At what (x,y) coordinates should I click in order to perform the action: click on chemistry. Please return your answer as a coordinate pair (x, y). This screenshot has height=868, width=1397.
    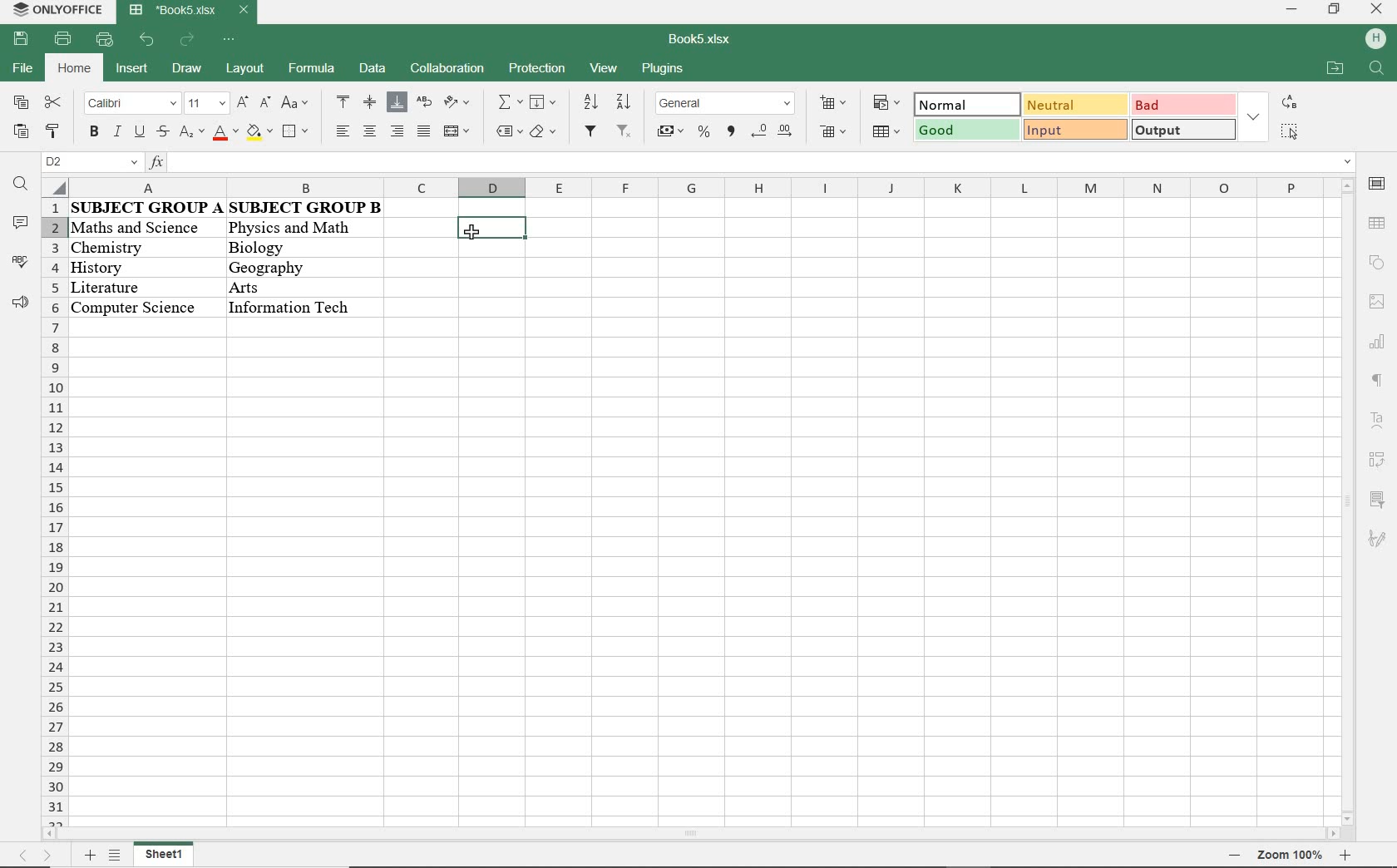
    Looking at the image, I should click on (143, 248).